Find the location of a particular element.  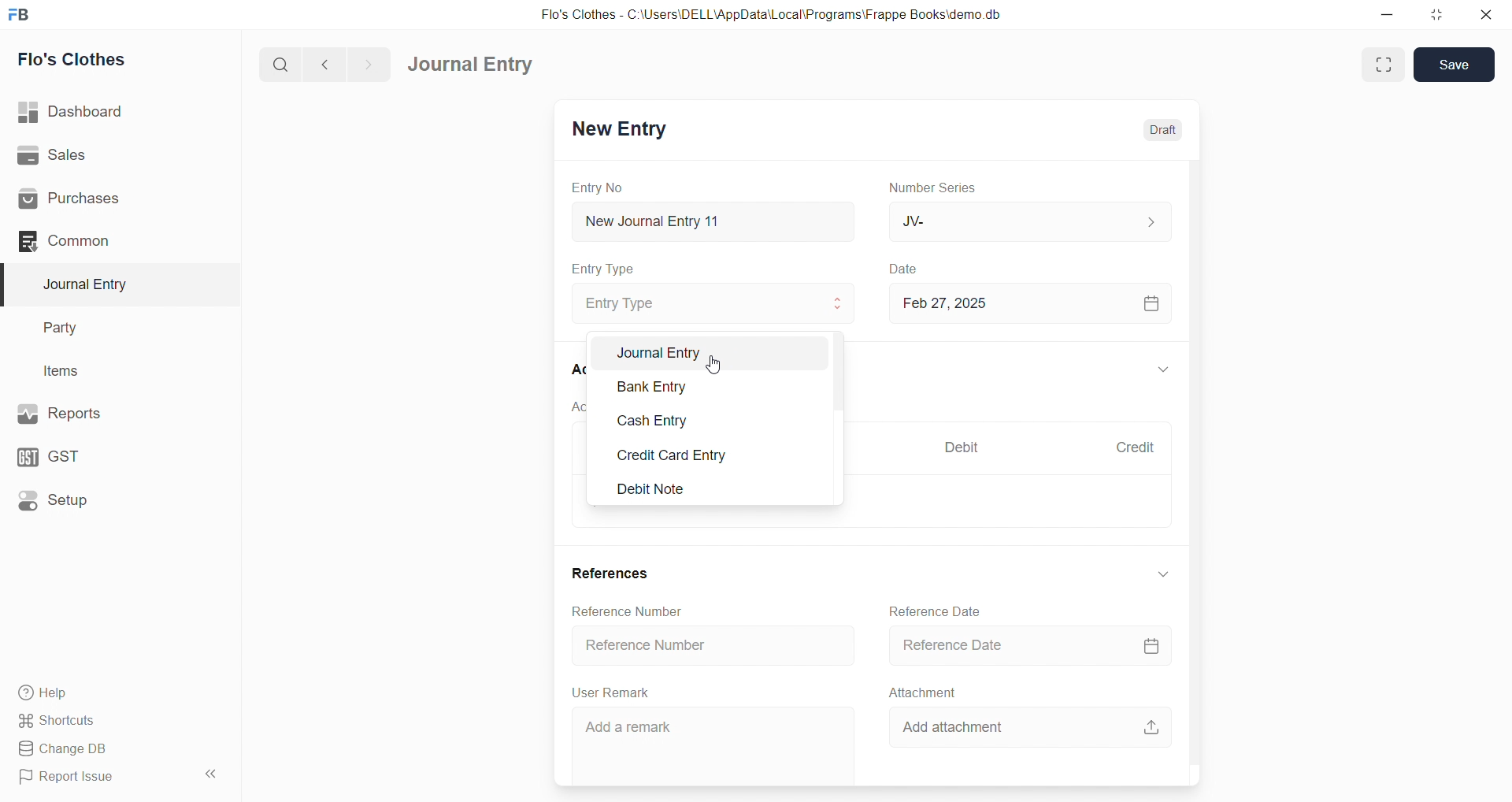

search is located at coordinates (278, 66).